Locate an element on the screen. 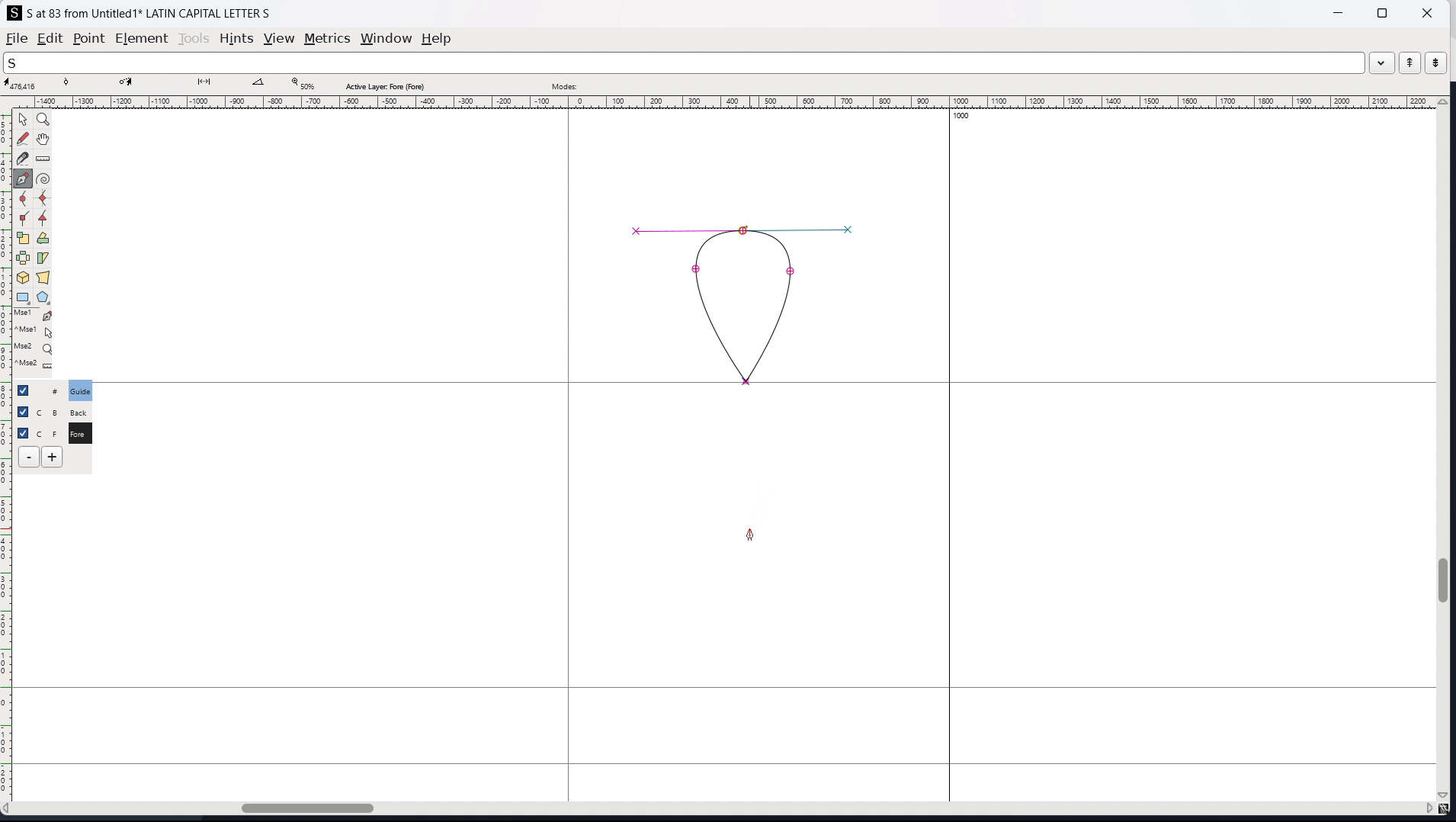 The height and width of the screenshot is (822, 1456). modes is located at coordinates (564, 85).